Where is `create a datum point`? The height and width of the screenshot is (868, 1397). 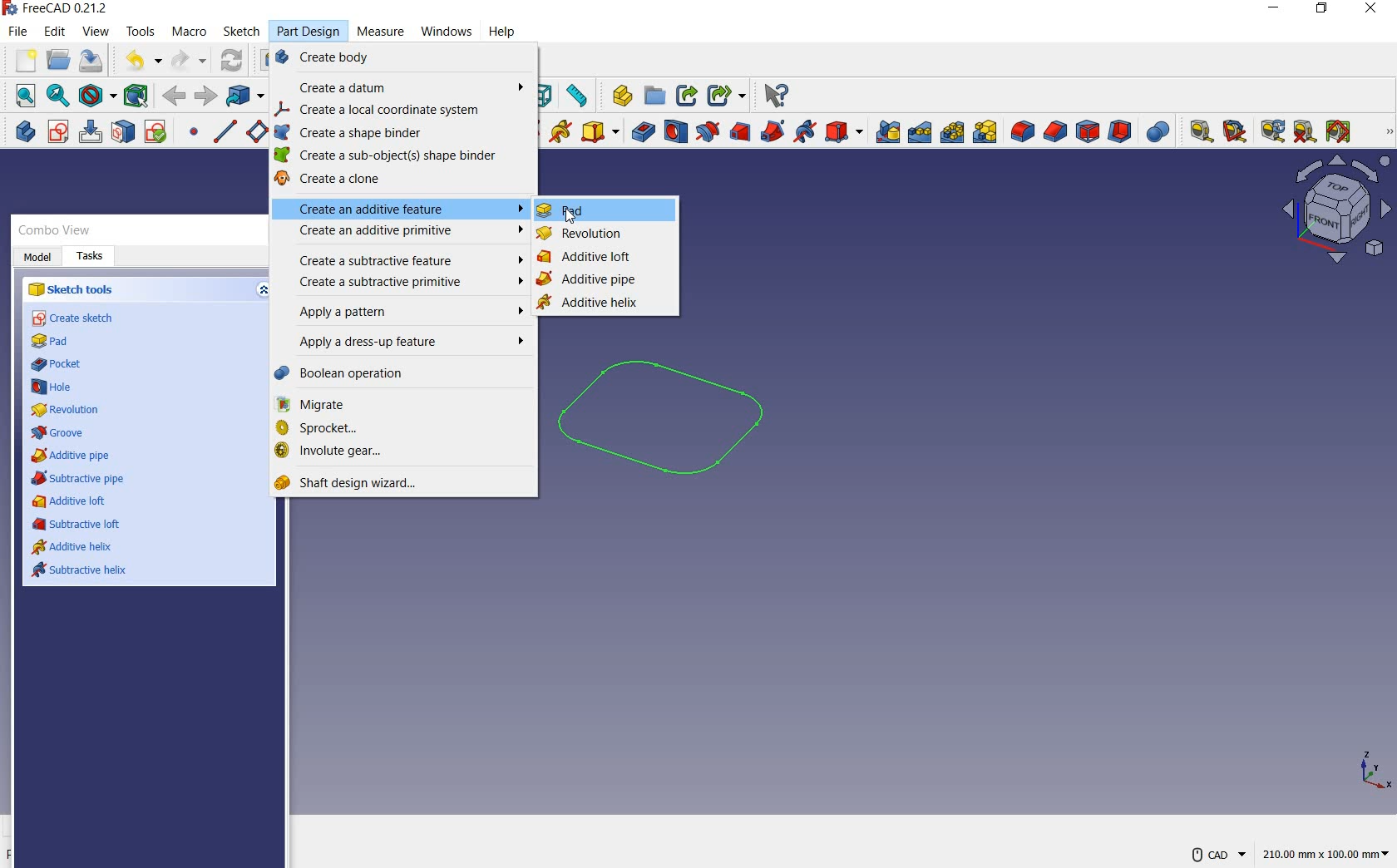 create a datum point is located at coordinates (195, 133).